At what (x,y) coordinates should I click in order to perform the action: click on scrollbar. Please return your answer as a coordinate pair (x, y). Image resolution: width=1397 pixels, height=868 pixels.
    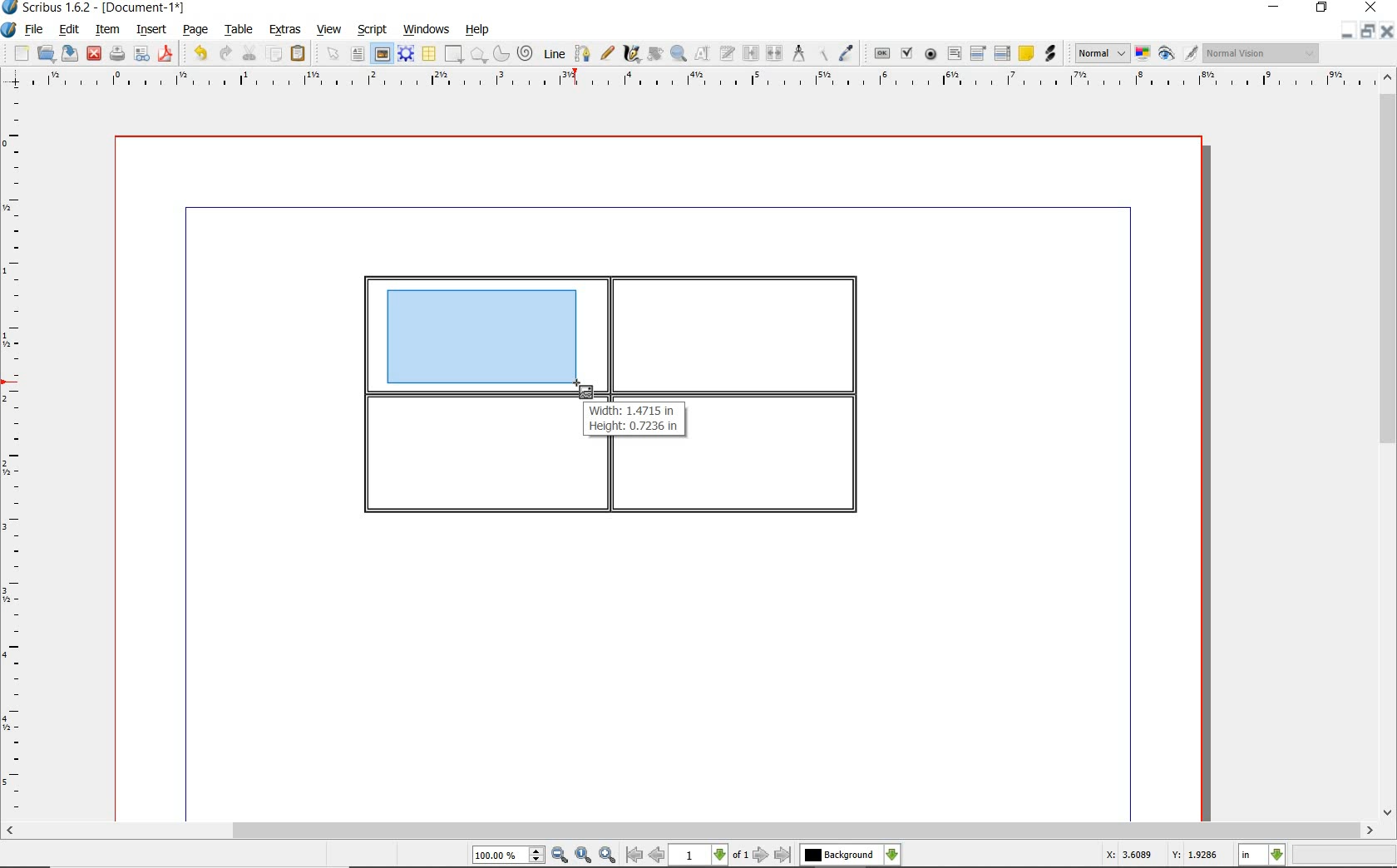
    Looking at the image, I should click on (1387, 446).